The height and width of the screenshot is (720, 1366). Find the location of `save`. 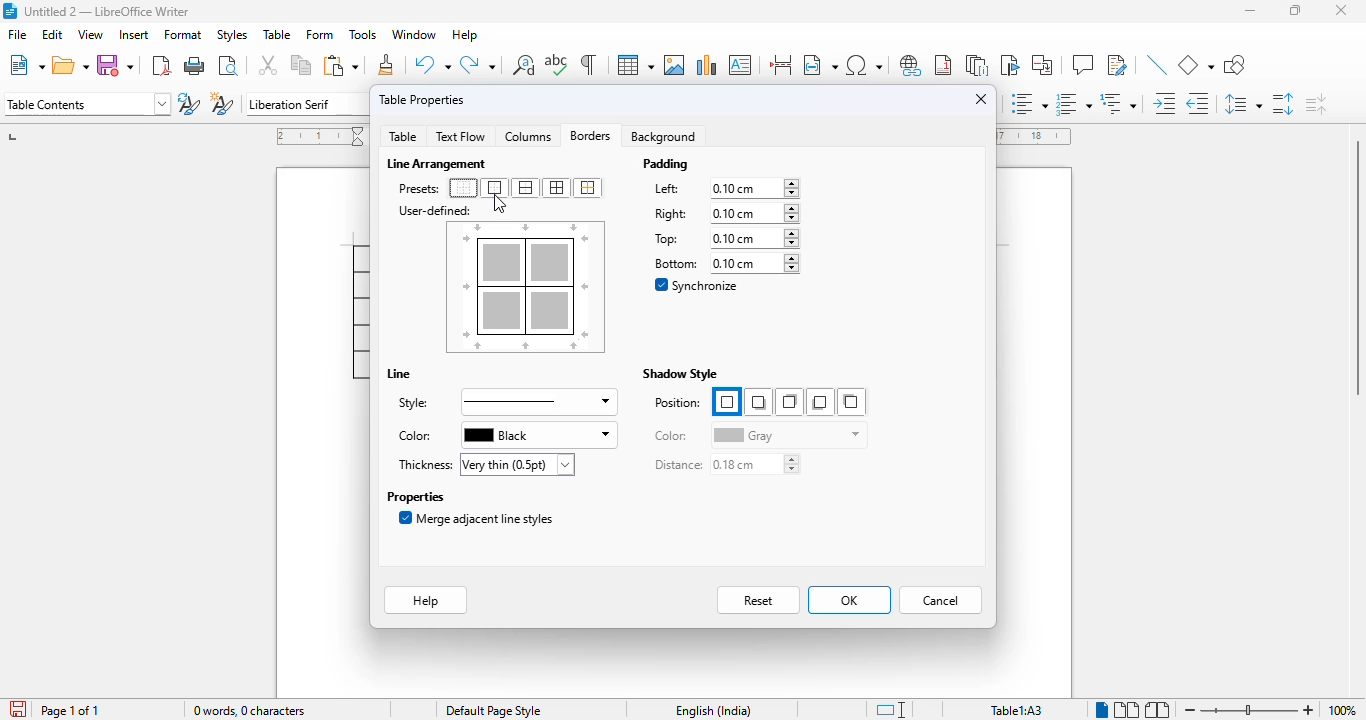

save is located at coordinates (115, 64).